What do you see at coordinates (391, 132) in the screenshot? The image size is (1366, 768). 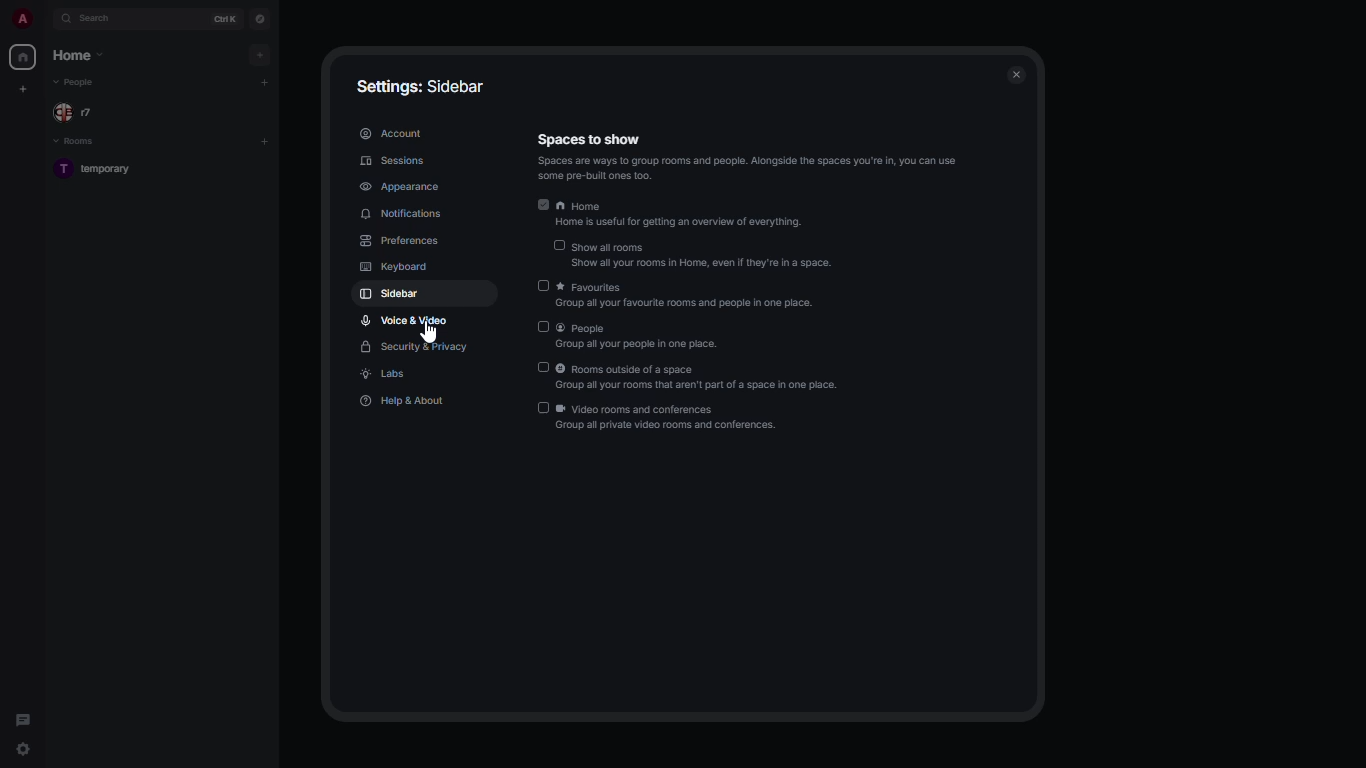 I see `account` at bounding box center [391, 132].